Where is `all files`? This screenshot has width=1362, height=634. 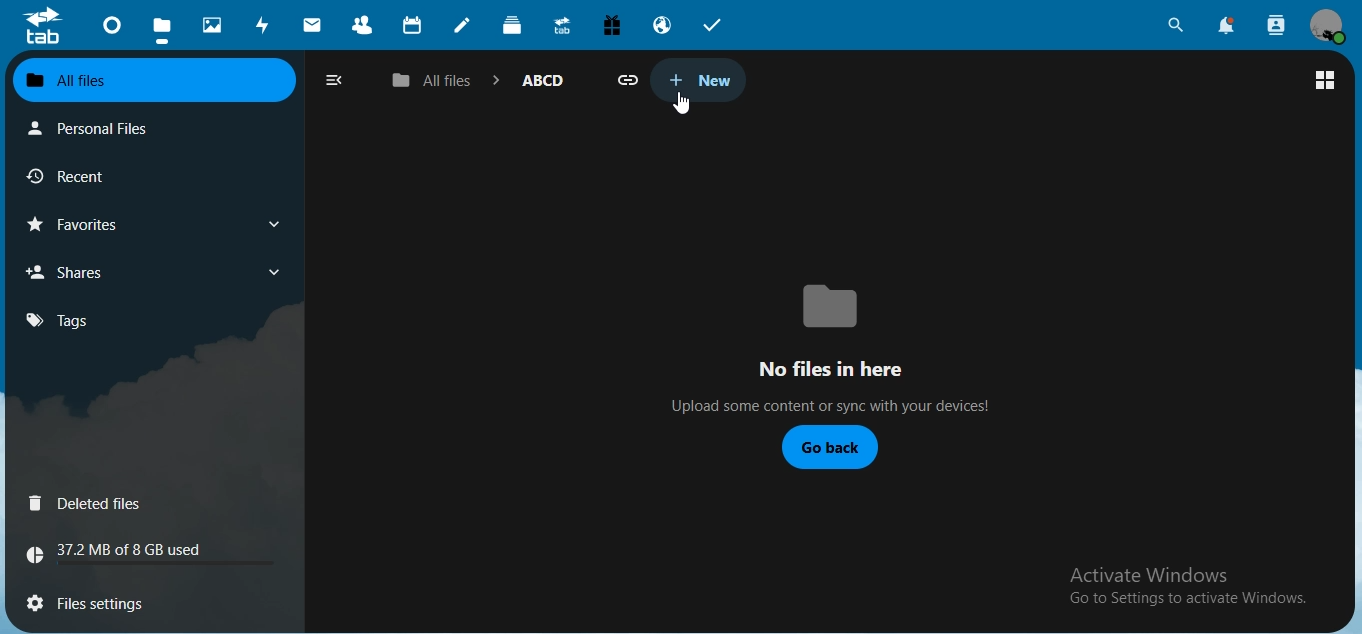
all files is located at coordinates (151, 79).